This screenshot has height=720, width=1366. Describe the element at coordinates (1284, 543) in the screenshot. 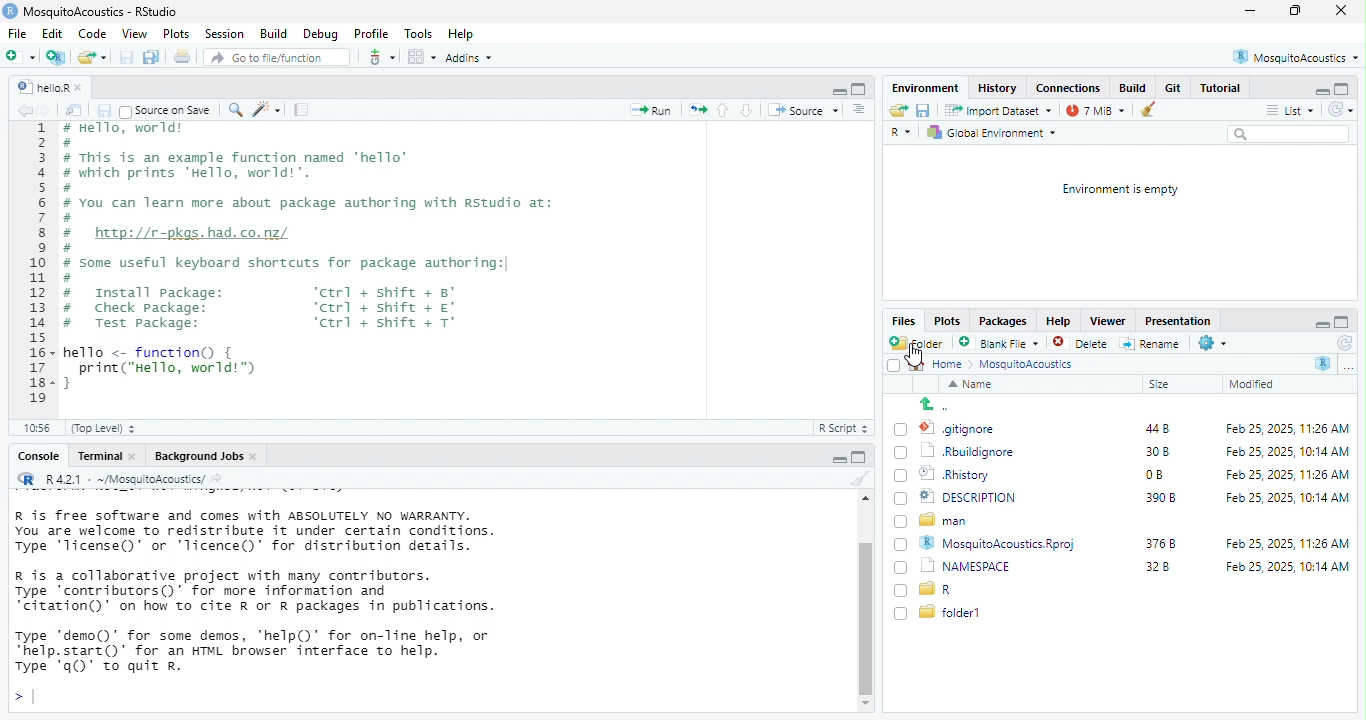

I see `Feb 25, 2025, 11:26 AM` at that location.